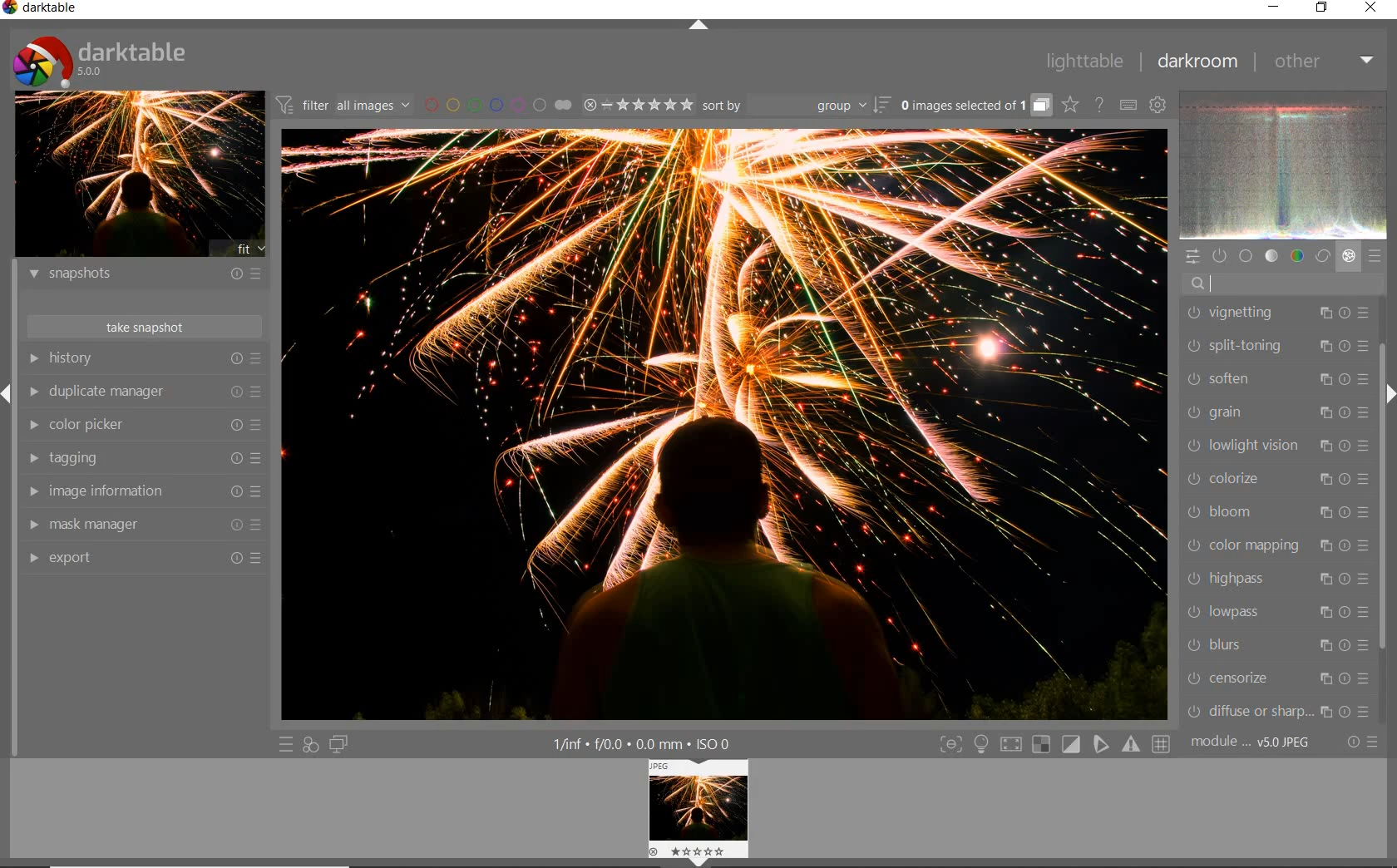 Image resolution: width=1397 pixels, height=868 pixels. Describe the element at coordinates (1054, 743) in the screenshot. I see `Toggle modes` at that location.